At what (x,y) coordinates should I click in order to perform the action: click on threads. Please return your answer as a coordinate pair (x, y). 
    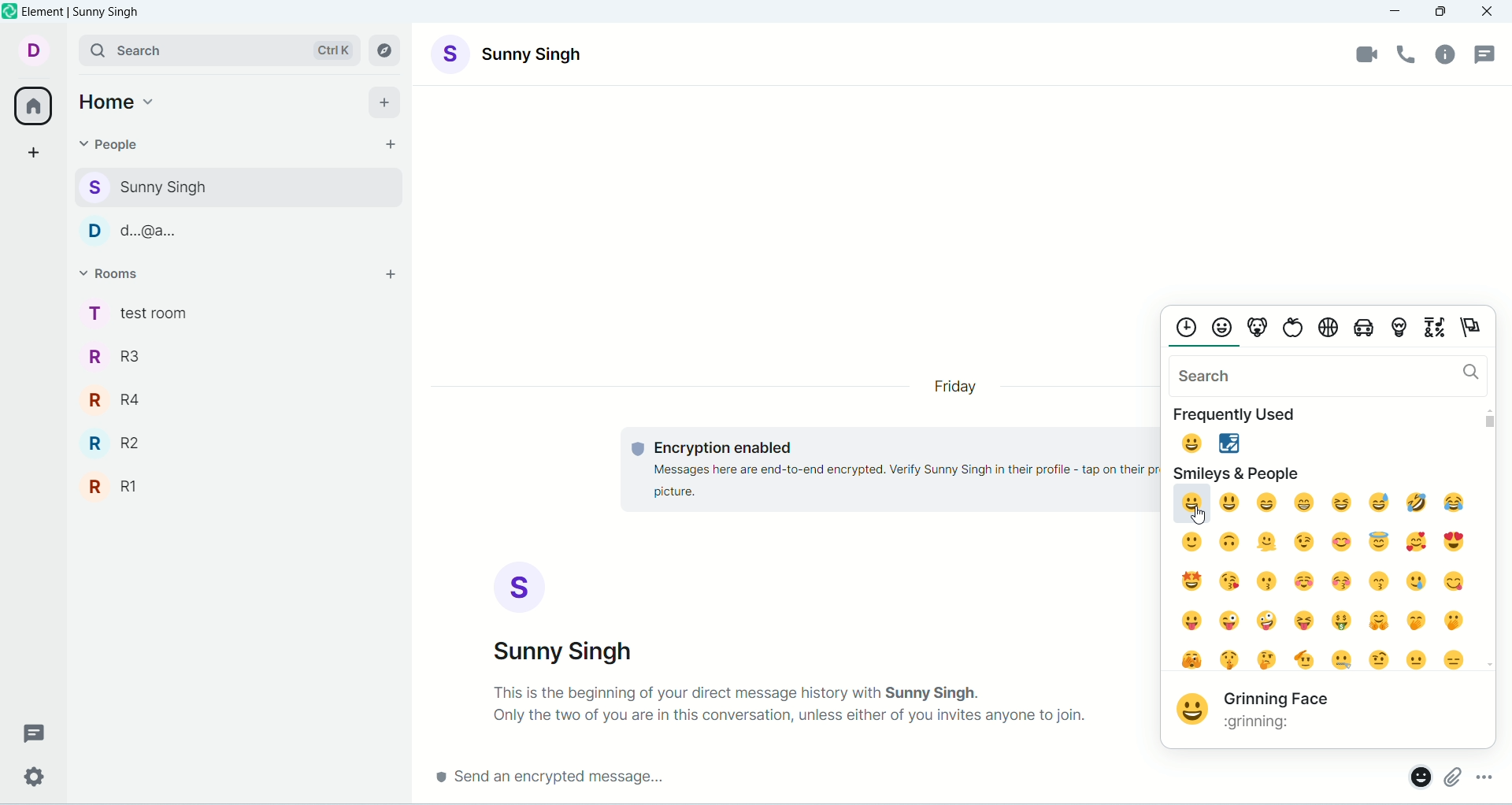
    Looking at the image, I should click on (29, 733).